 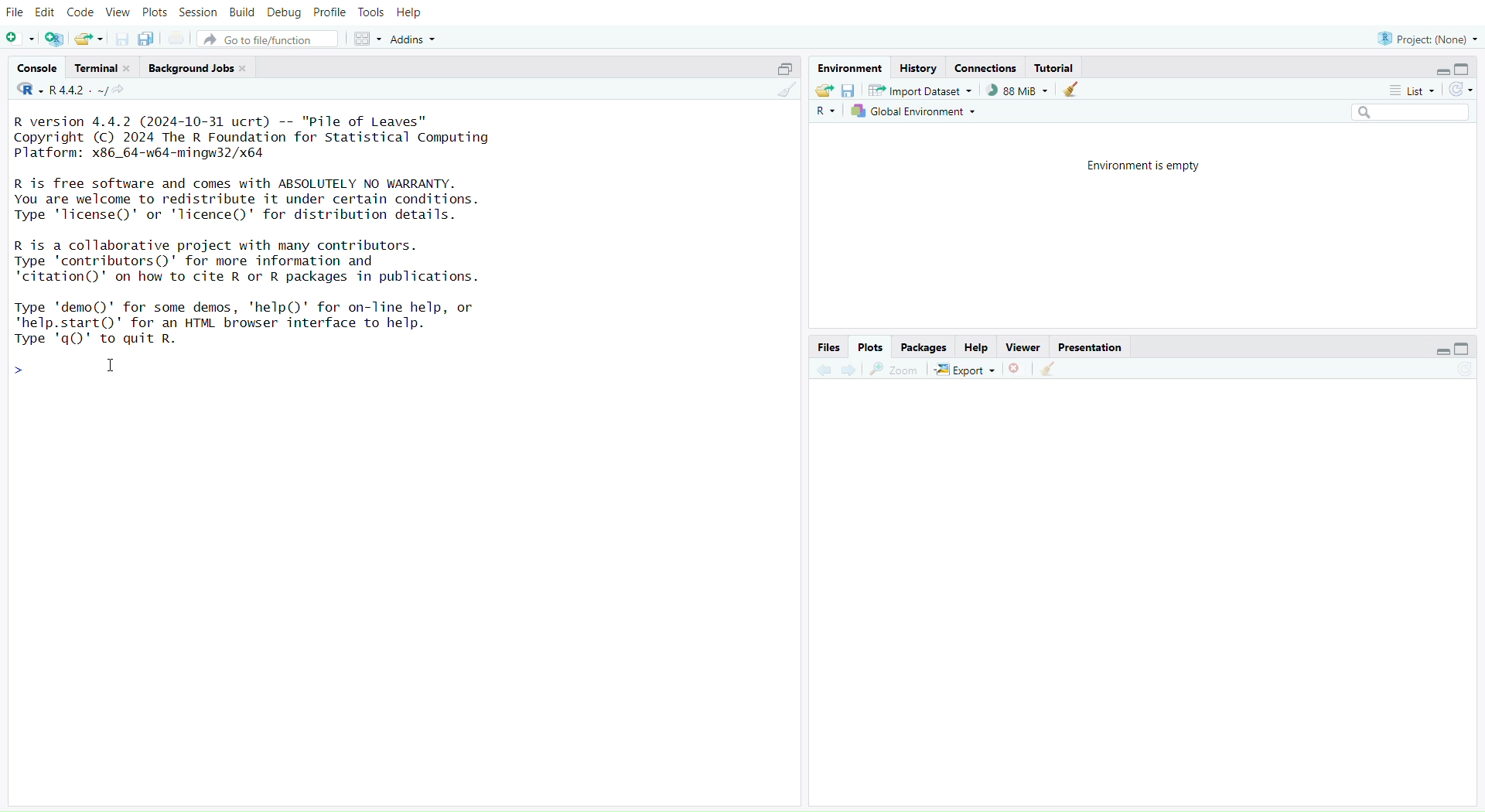 What do you see at coordinates (1424, 38) in the screenshot?
I see `project(None)` at bounding box center [1424, 38].